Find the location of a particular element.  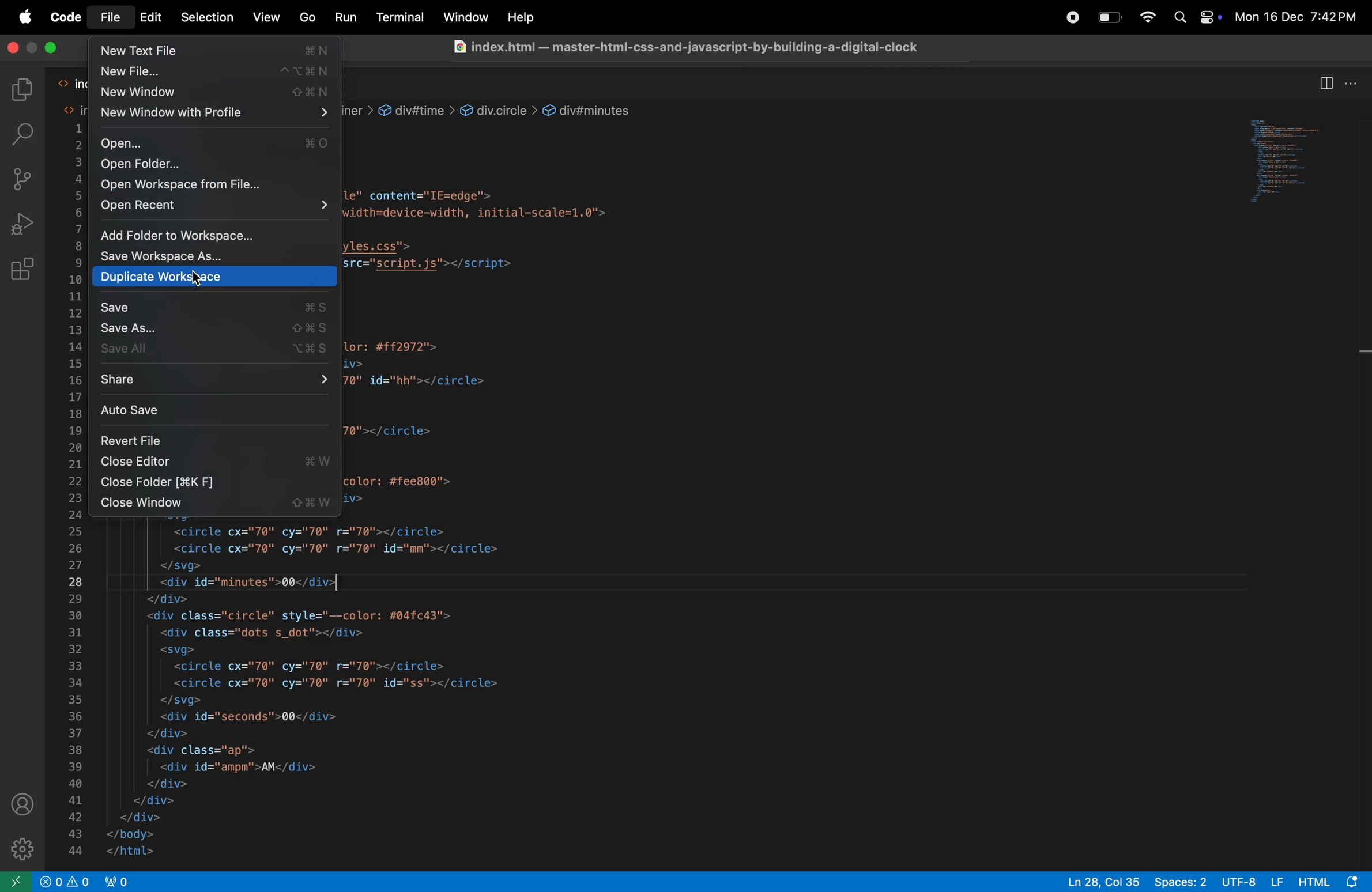

open is located at coordinates (214, 143).